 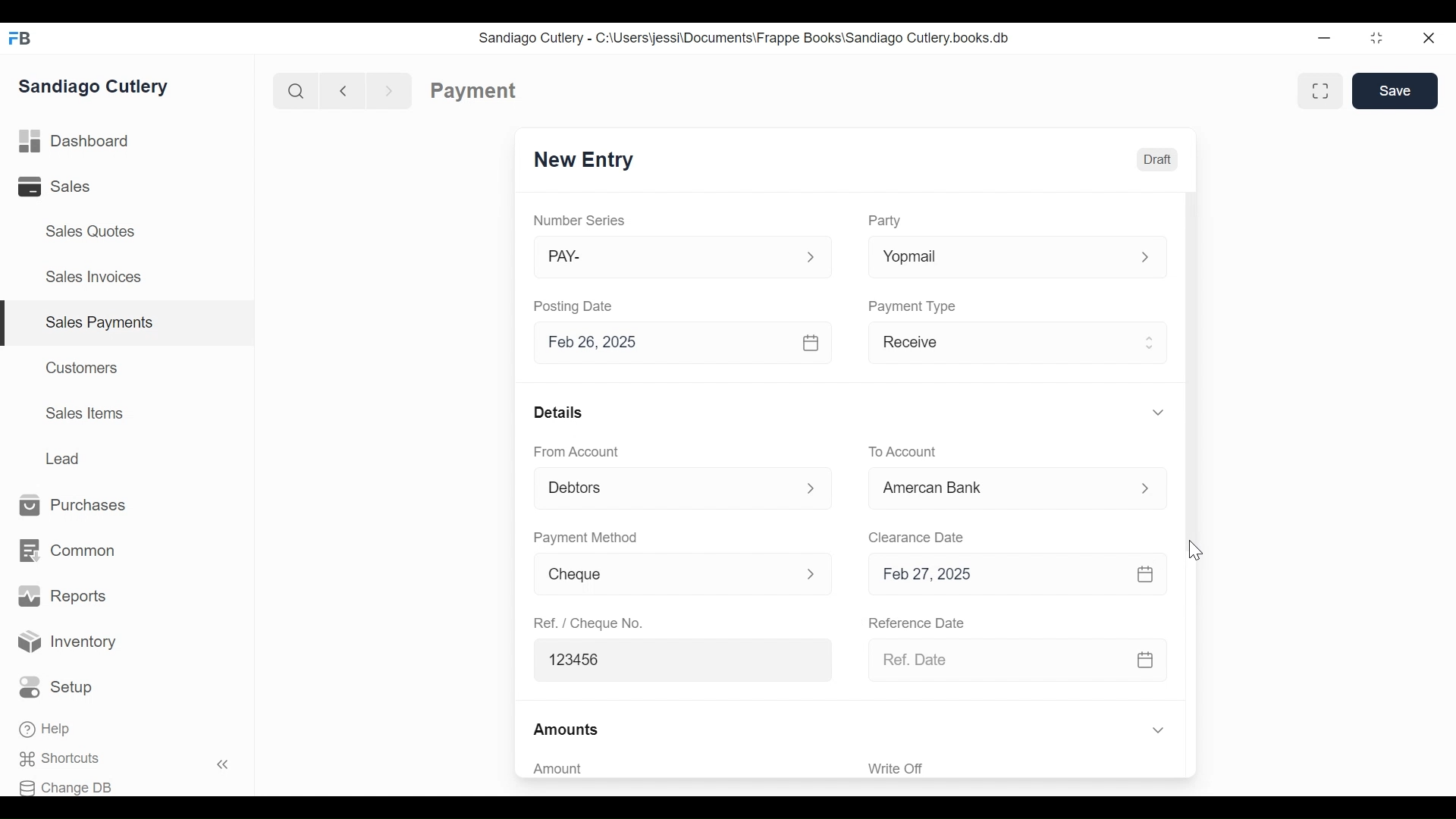 I want to click on Lead, so click(x=65, y=457).